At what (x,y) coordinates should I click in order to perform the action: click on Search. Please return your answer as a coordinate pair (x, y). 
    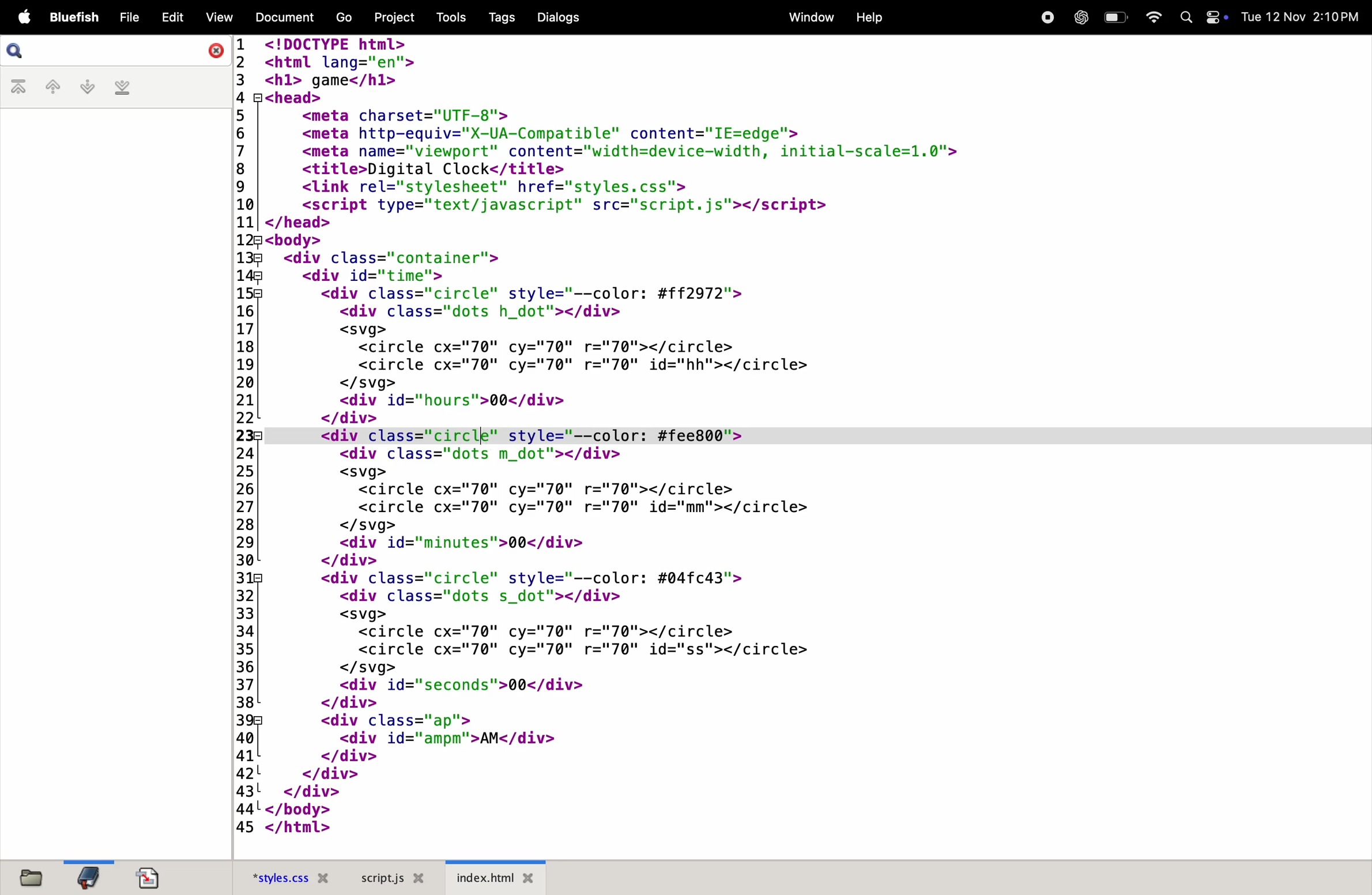
    Looking at the image, I should click on (1188, 18).